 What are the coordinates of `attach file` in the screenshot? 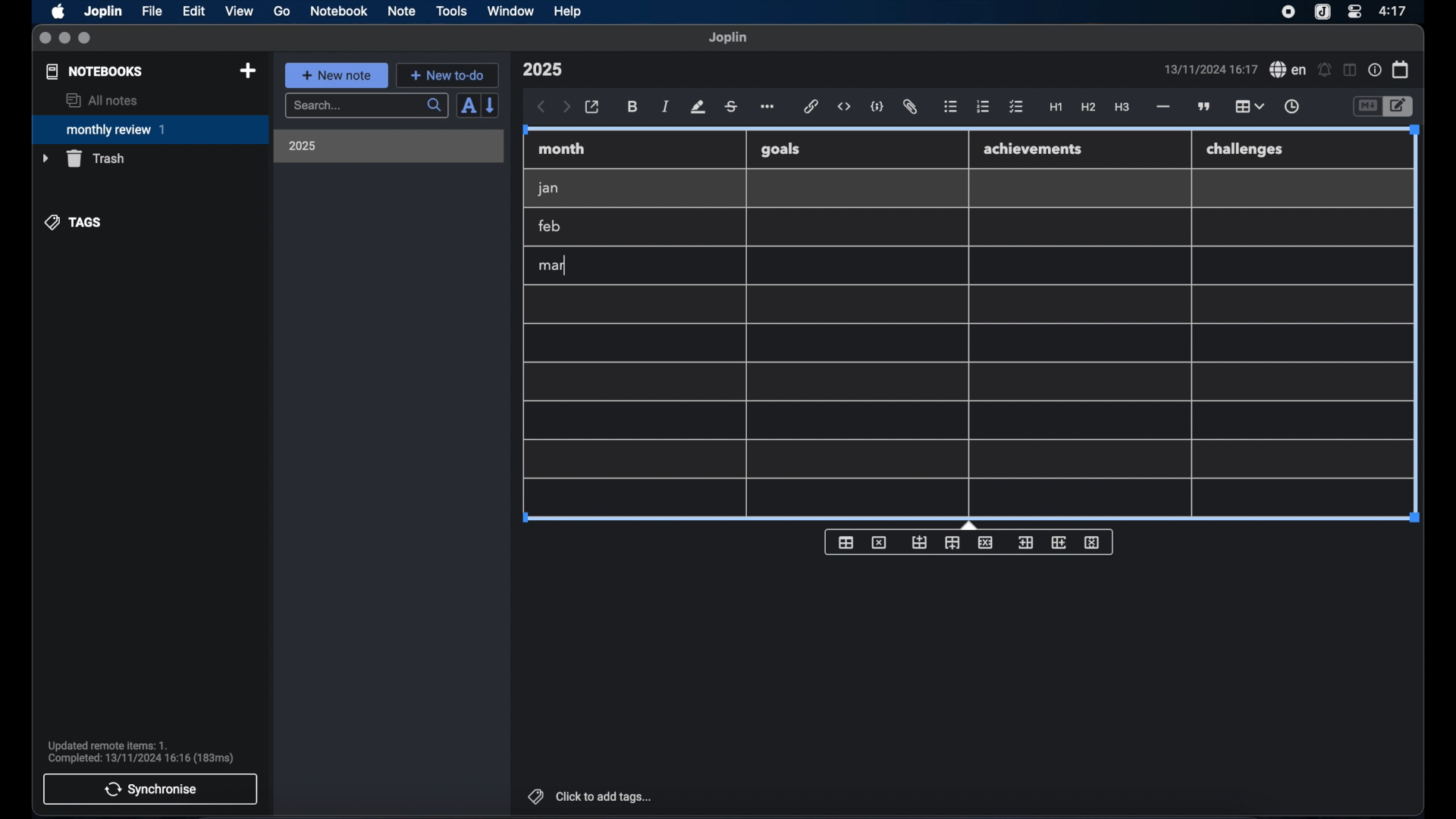 It's located at (910, 107).